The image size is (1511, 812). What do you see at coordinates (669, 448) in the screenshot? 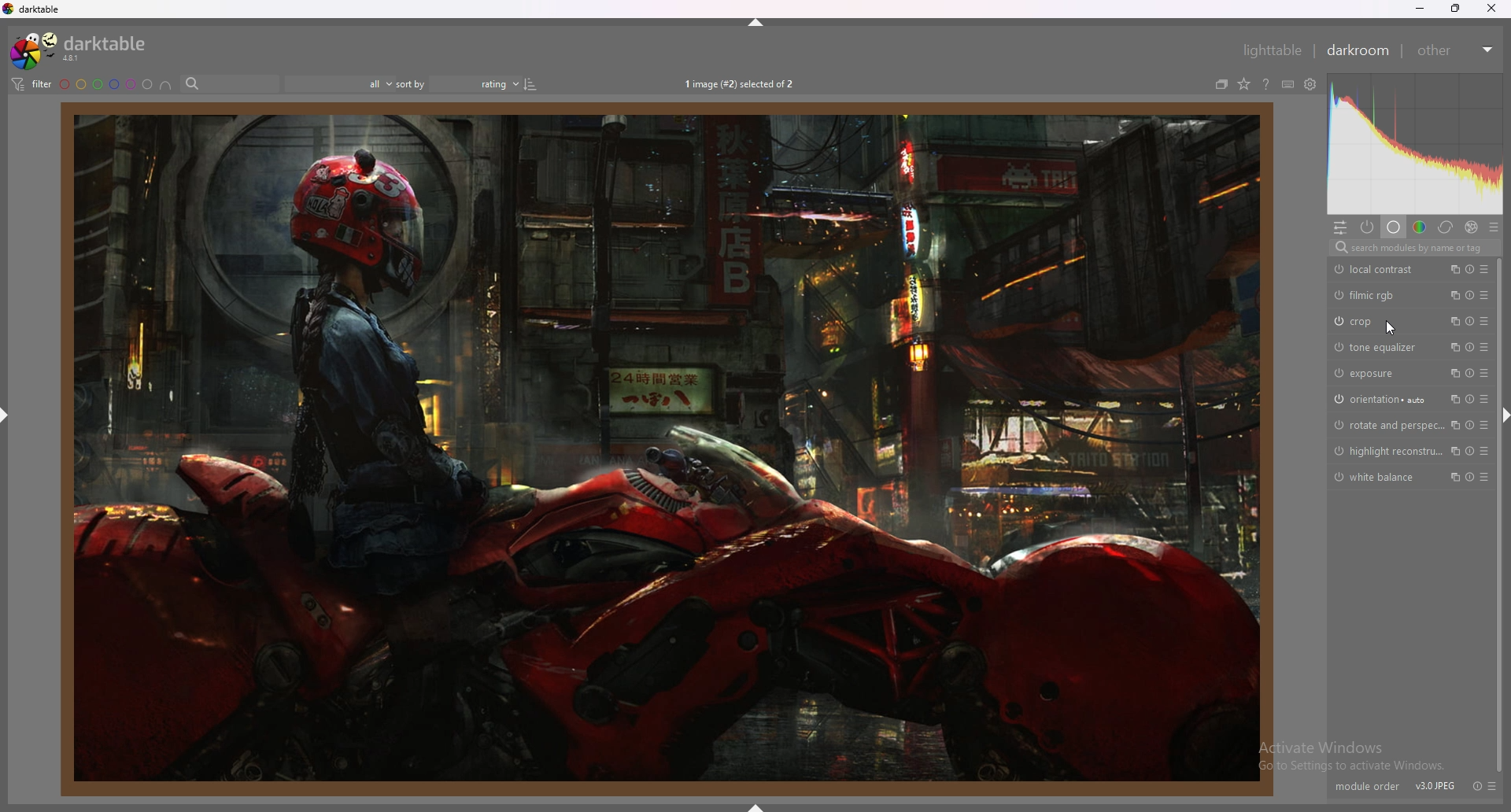
I see `person sitting on bike in a factory` at bounding box center [669, 448].